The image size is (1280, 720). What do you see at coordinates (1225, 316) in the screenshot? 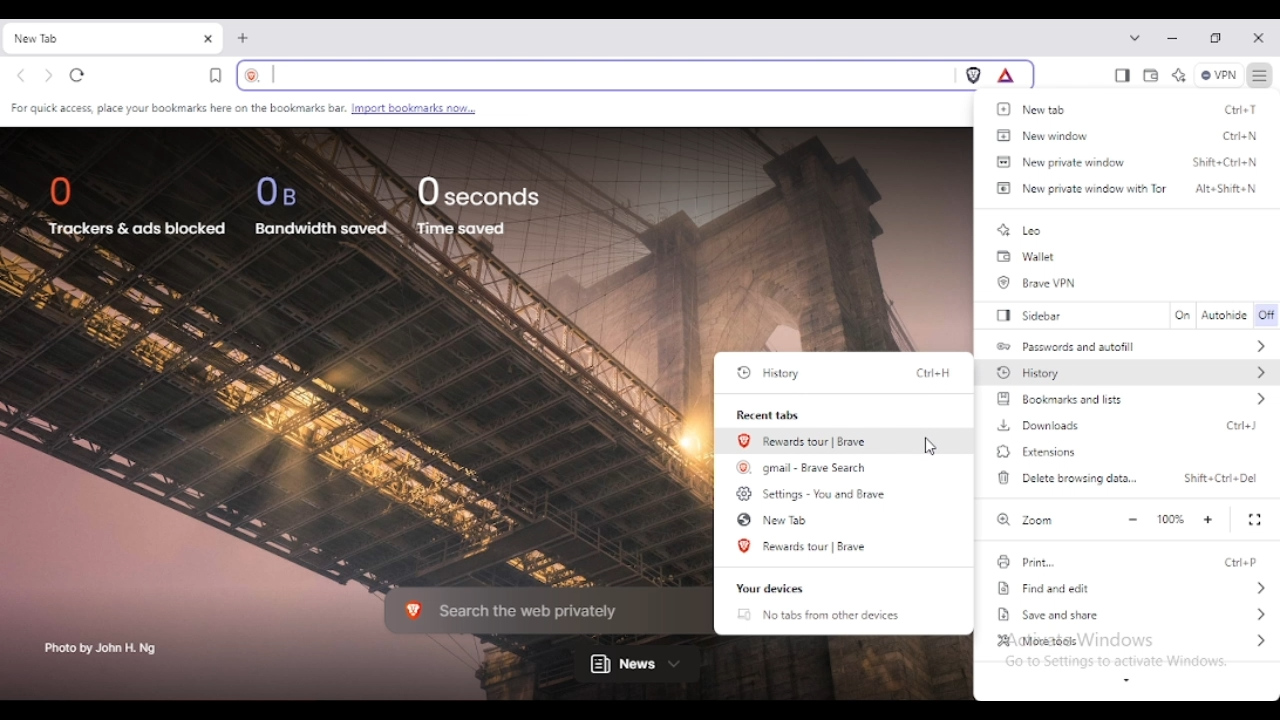
I see `autohide` at bounding box center [1225, 316].